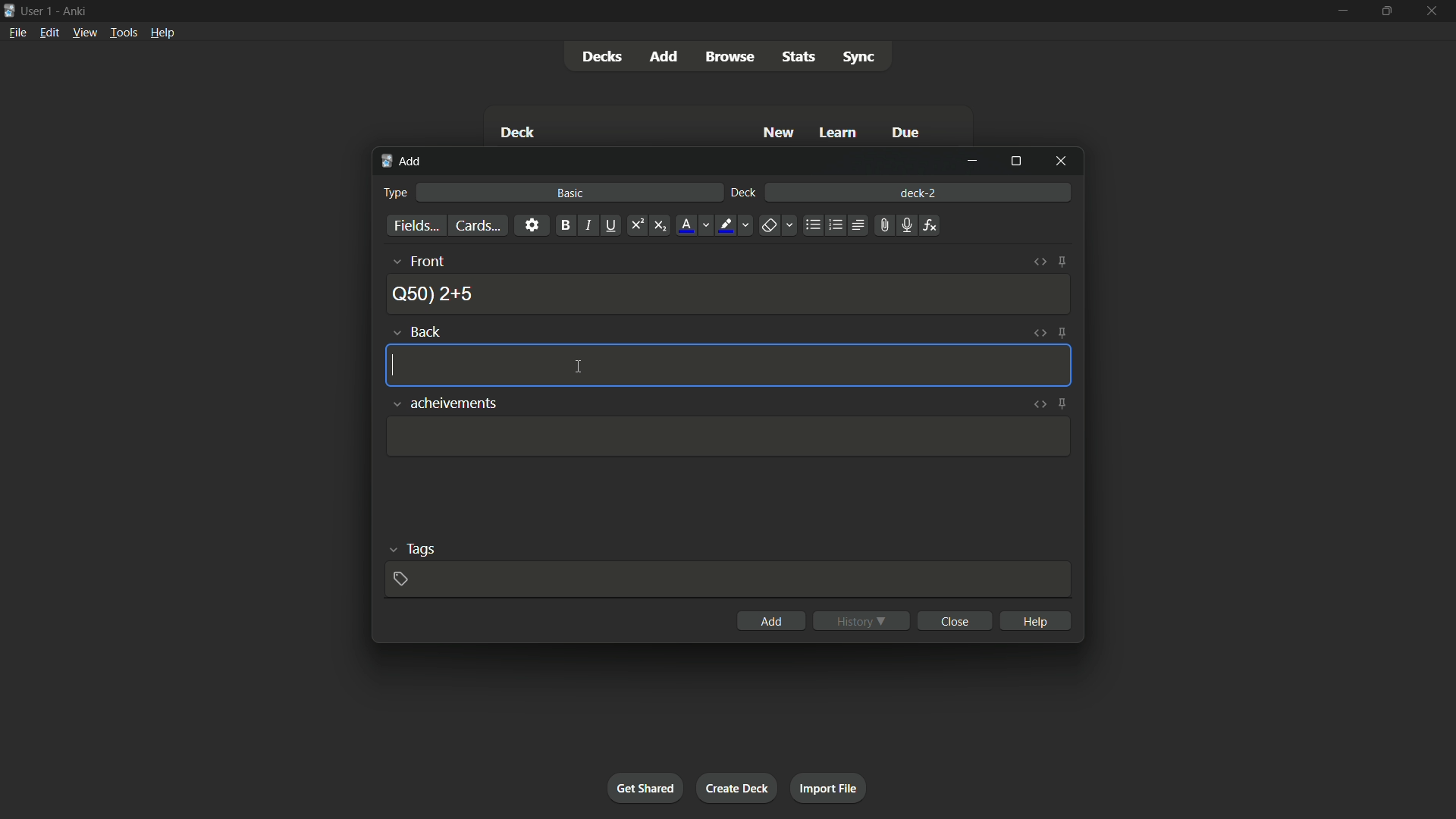  Describe the element at coordinates (18, 33) in the screenshot. I see `file menu` at that location.